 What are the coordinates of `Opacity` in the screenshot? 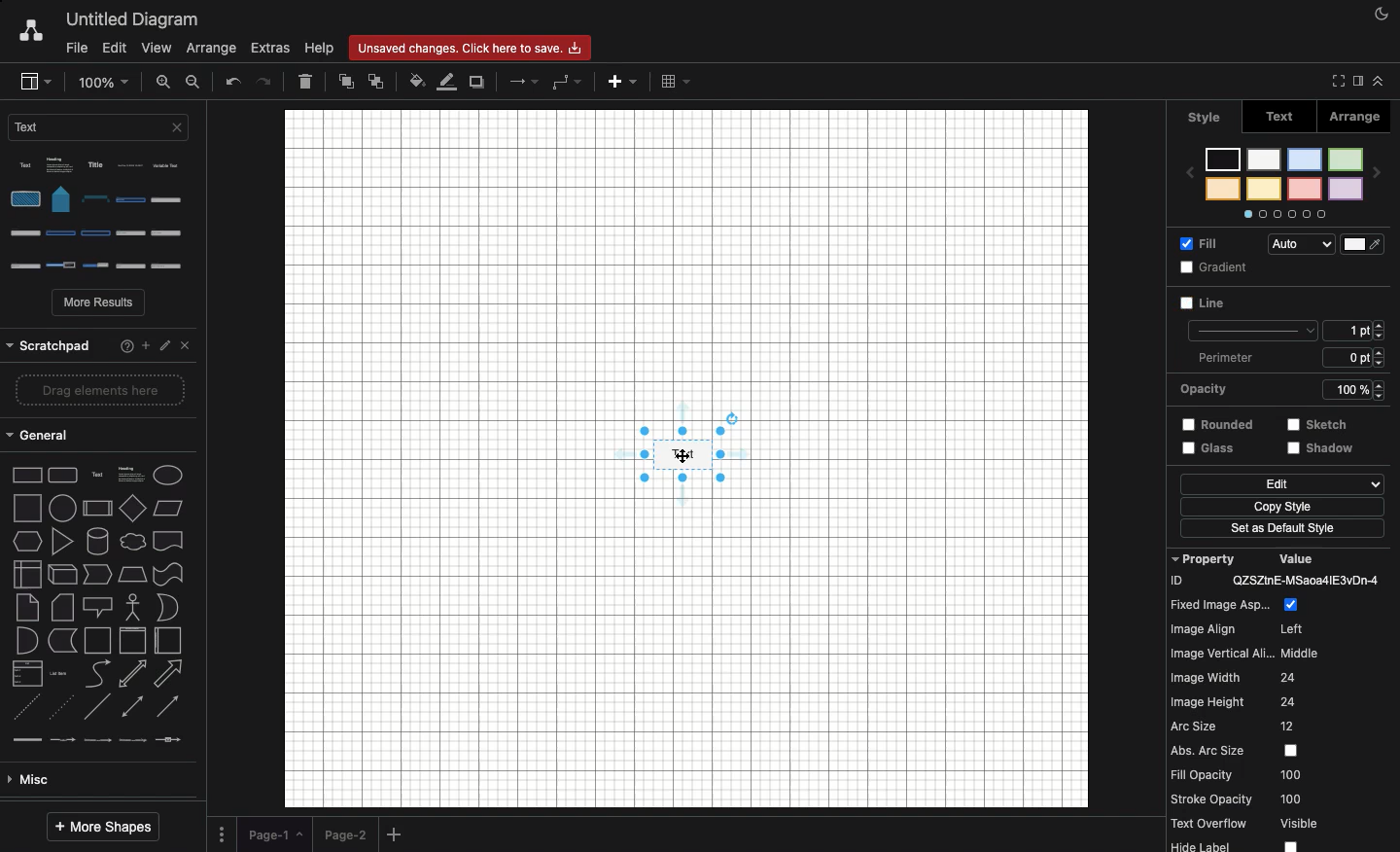 It's located at (1290, 357).